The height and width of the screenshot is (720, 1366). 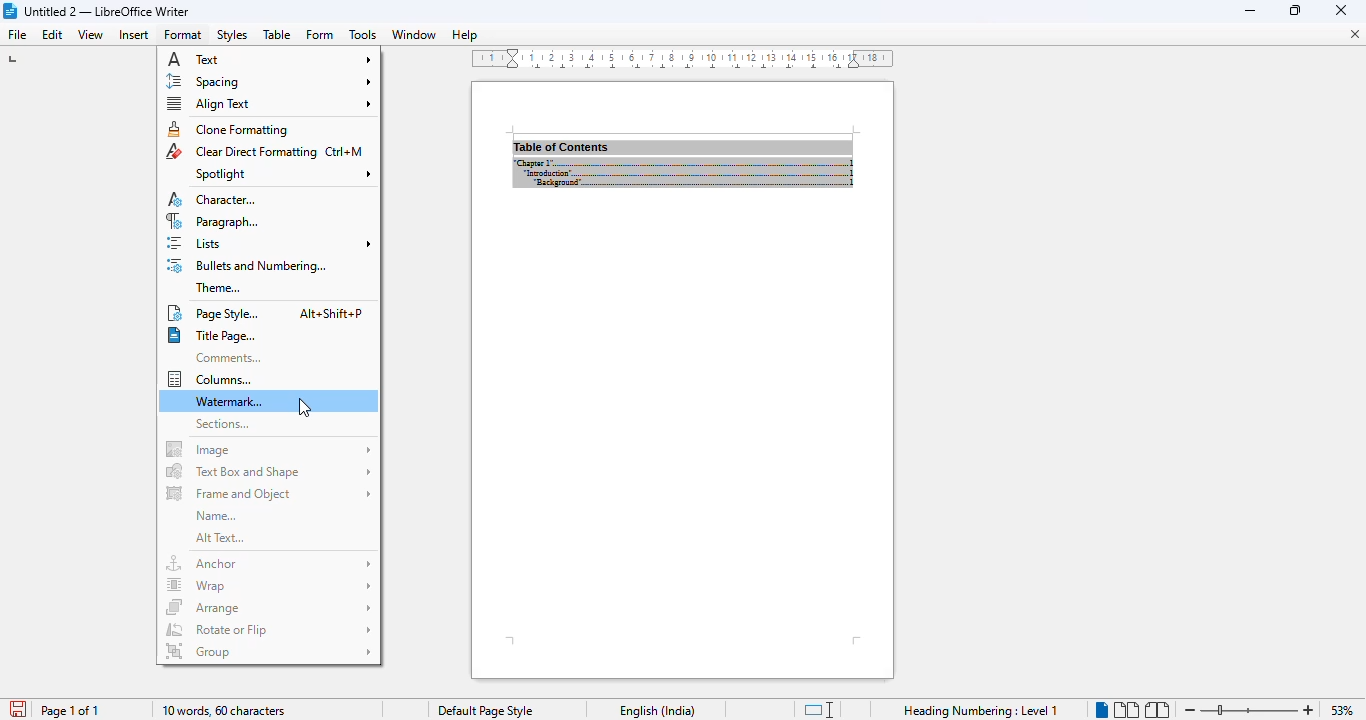 What do you see at coordinates (485, 711) in the screenshot?
I see `default page style` at bounding box center [485, 711].